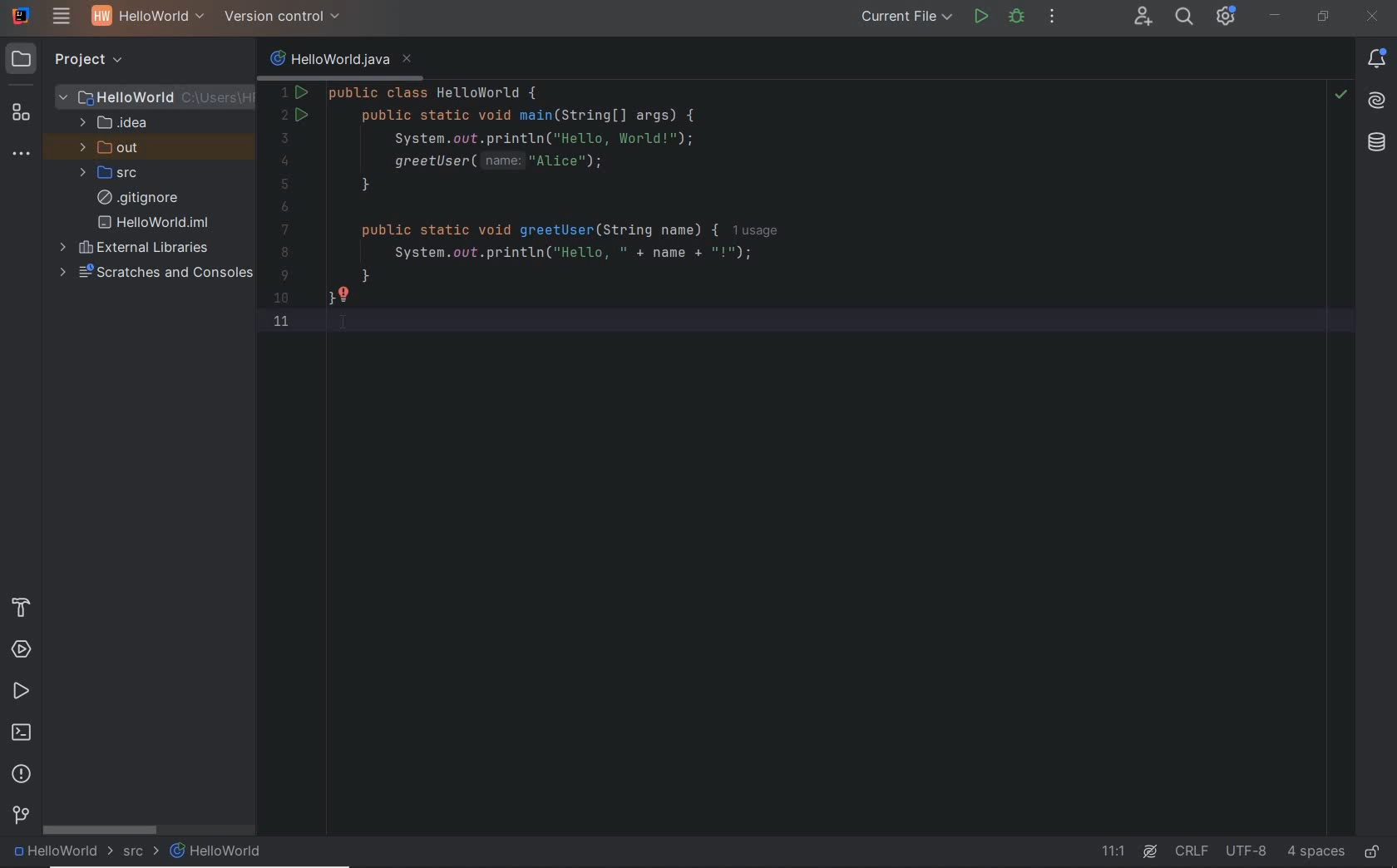  What do you see at coordinates (21, 817) in the screenshot?
I see `version control` at bounding box center [21, 817].